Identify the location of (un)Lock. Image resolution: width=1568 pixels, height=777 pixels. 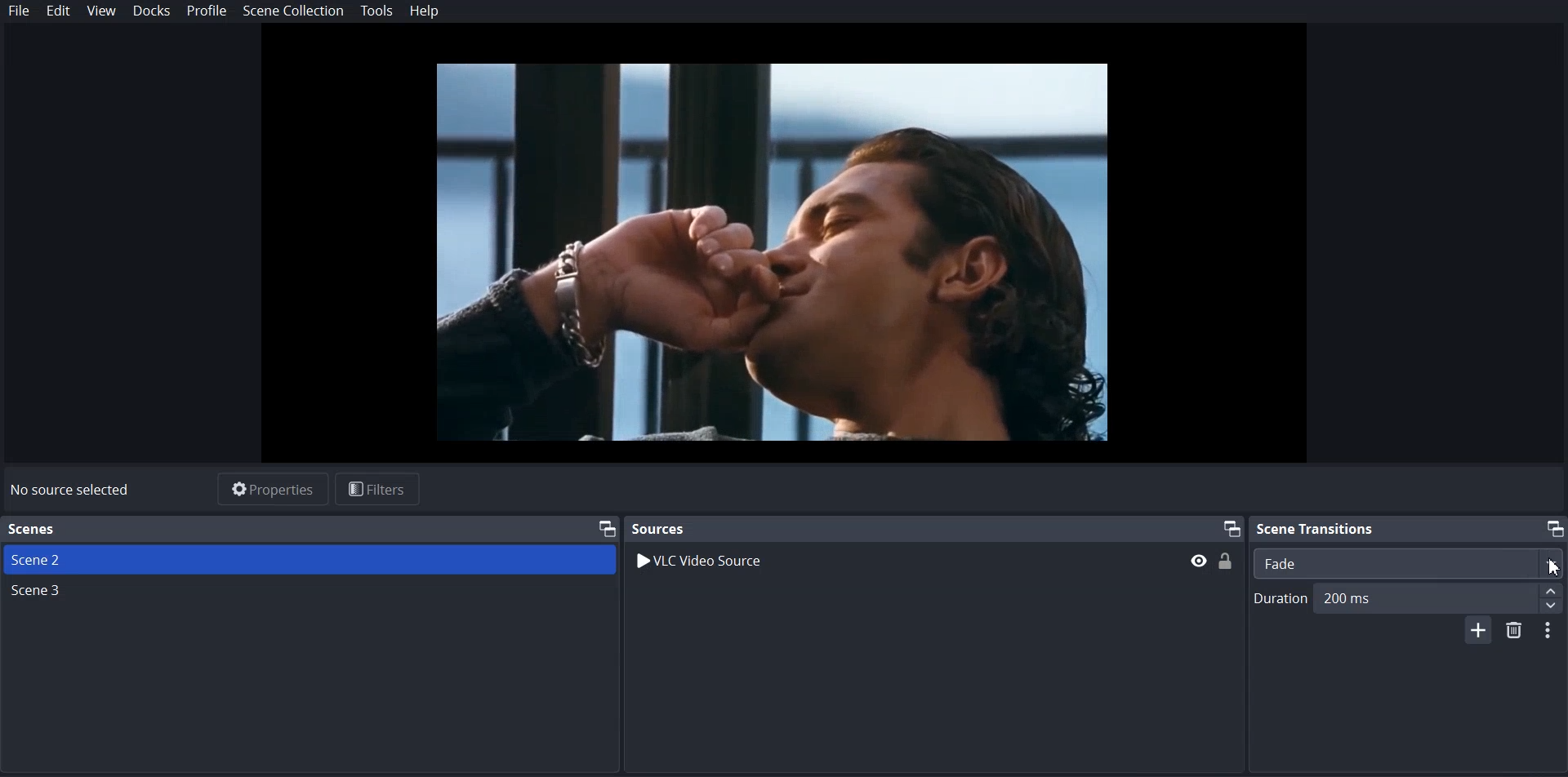
(1227, 560).